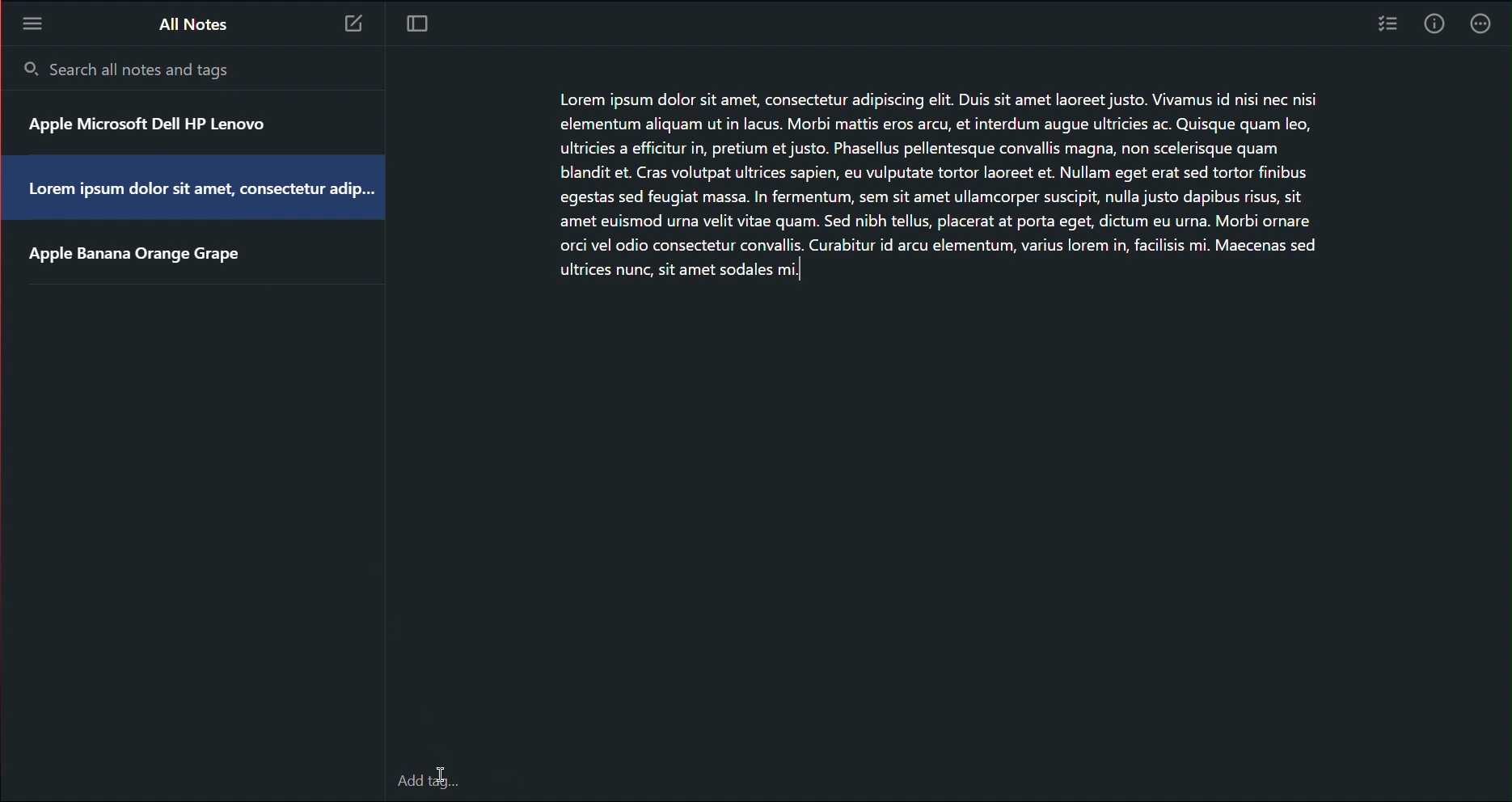 This screenshot has height=802, width=1512. What do you see at coordinates (152, 255) in the screenshot?
I see `Apple Banana Orange Grape` at bounding box center [152, 255].